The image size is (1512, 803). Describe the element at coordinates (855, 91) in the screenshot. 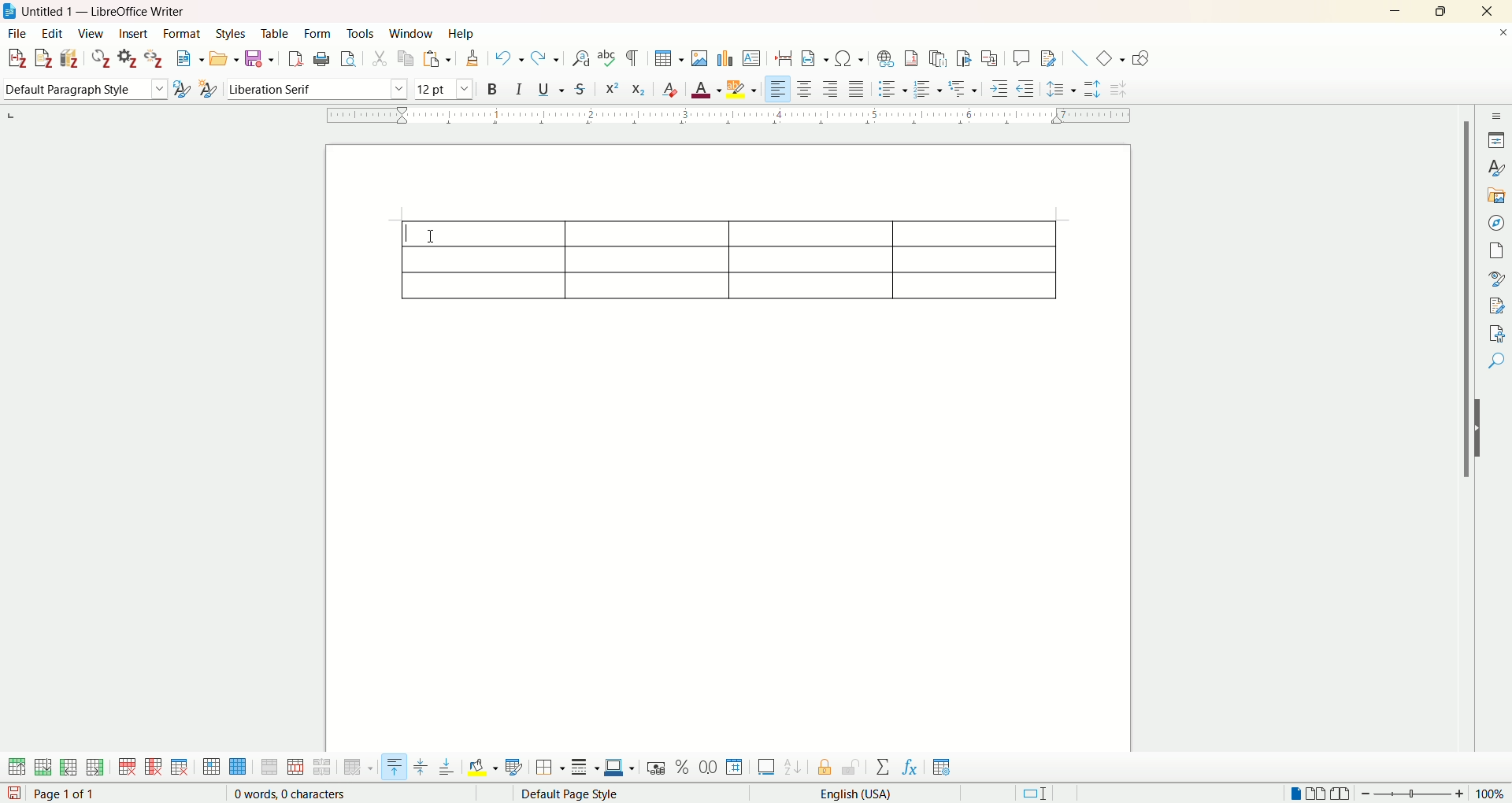

I see `justified` at that location.